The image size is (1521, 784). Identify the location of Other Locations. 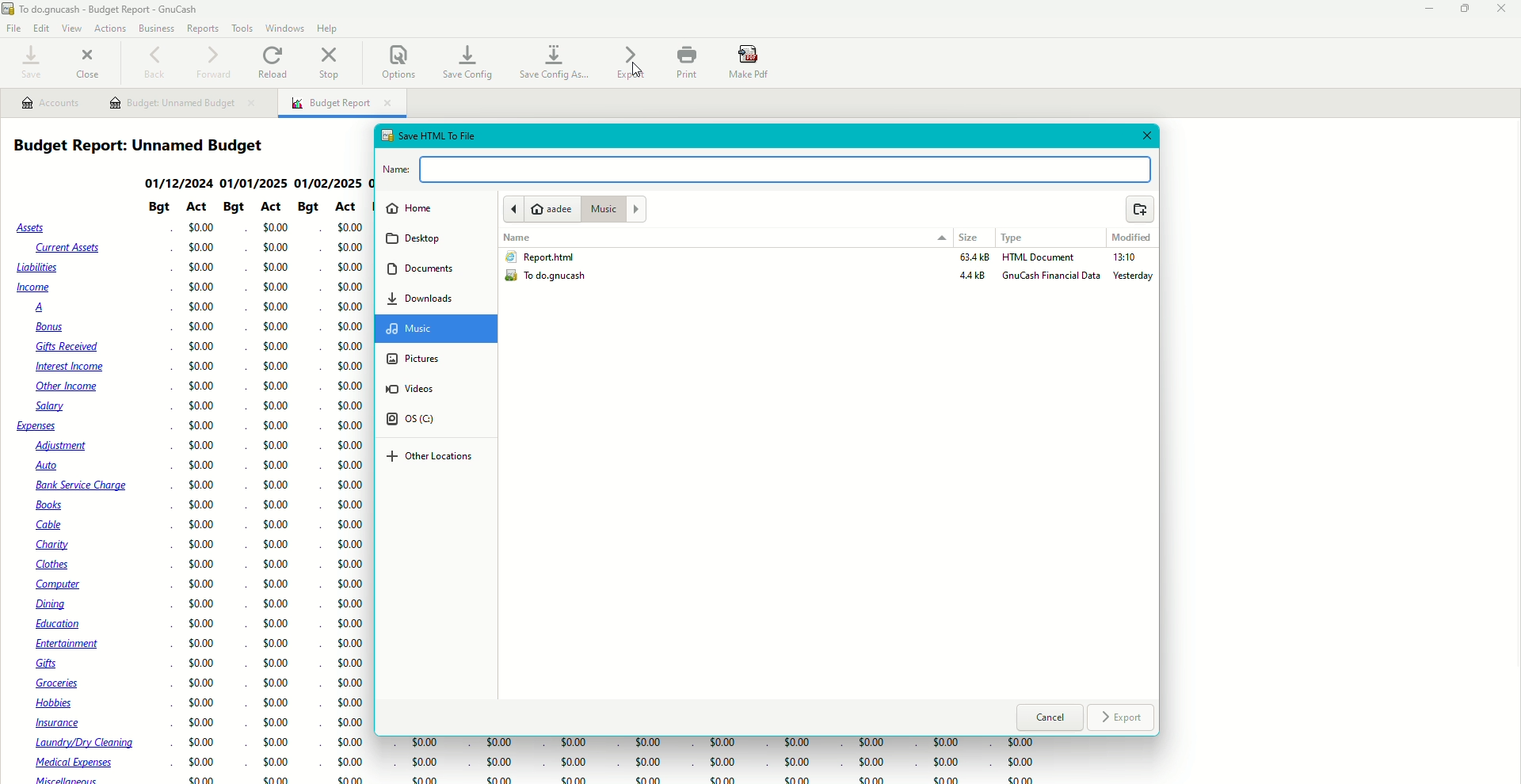
(430, 458).